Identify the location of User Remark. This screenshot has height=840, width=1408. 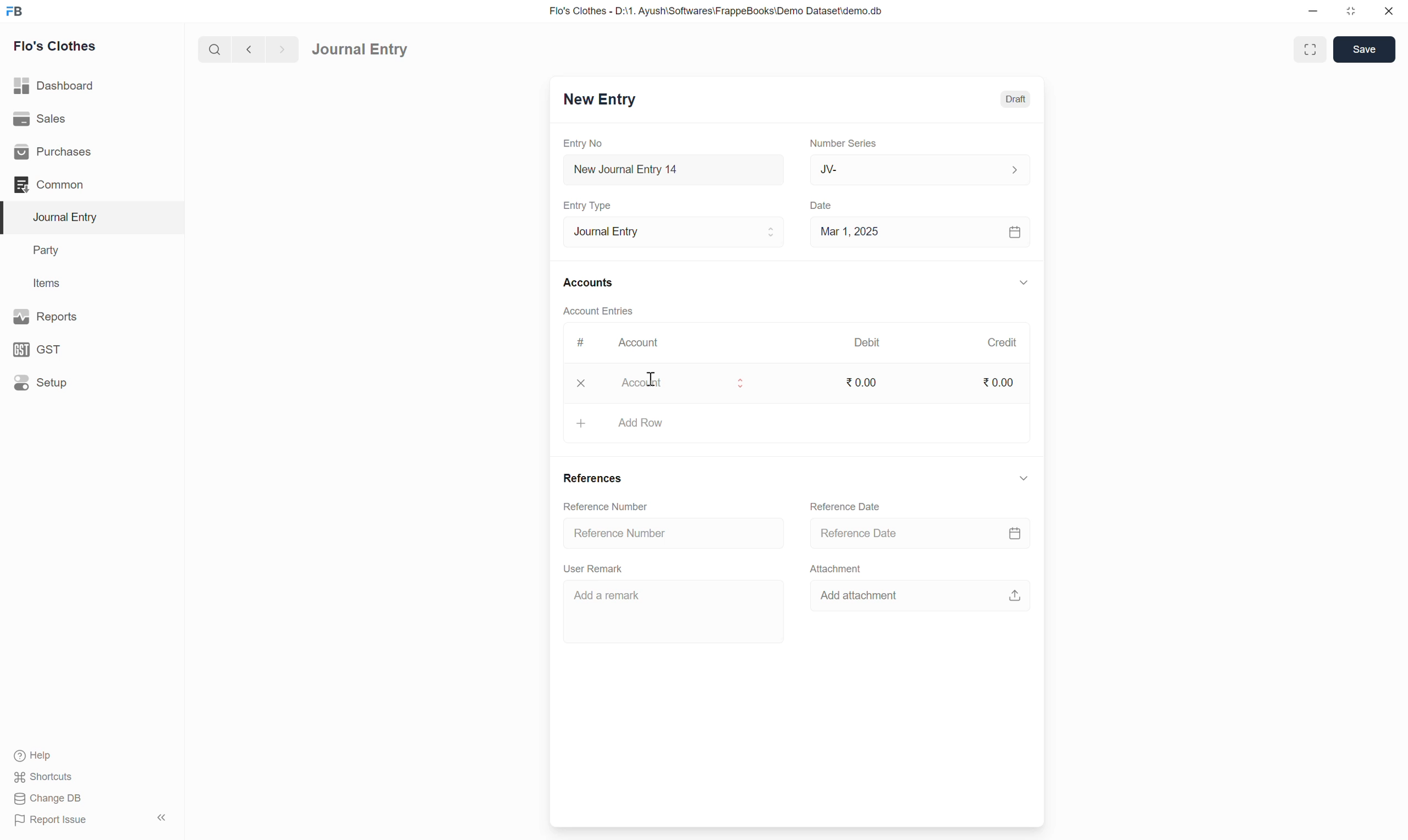
(596, 567).